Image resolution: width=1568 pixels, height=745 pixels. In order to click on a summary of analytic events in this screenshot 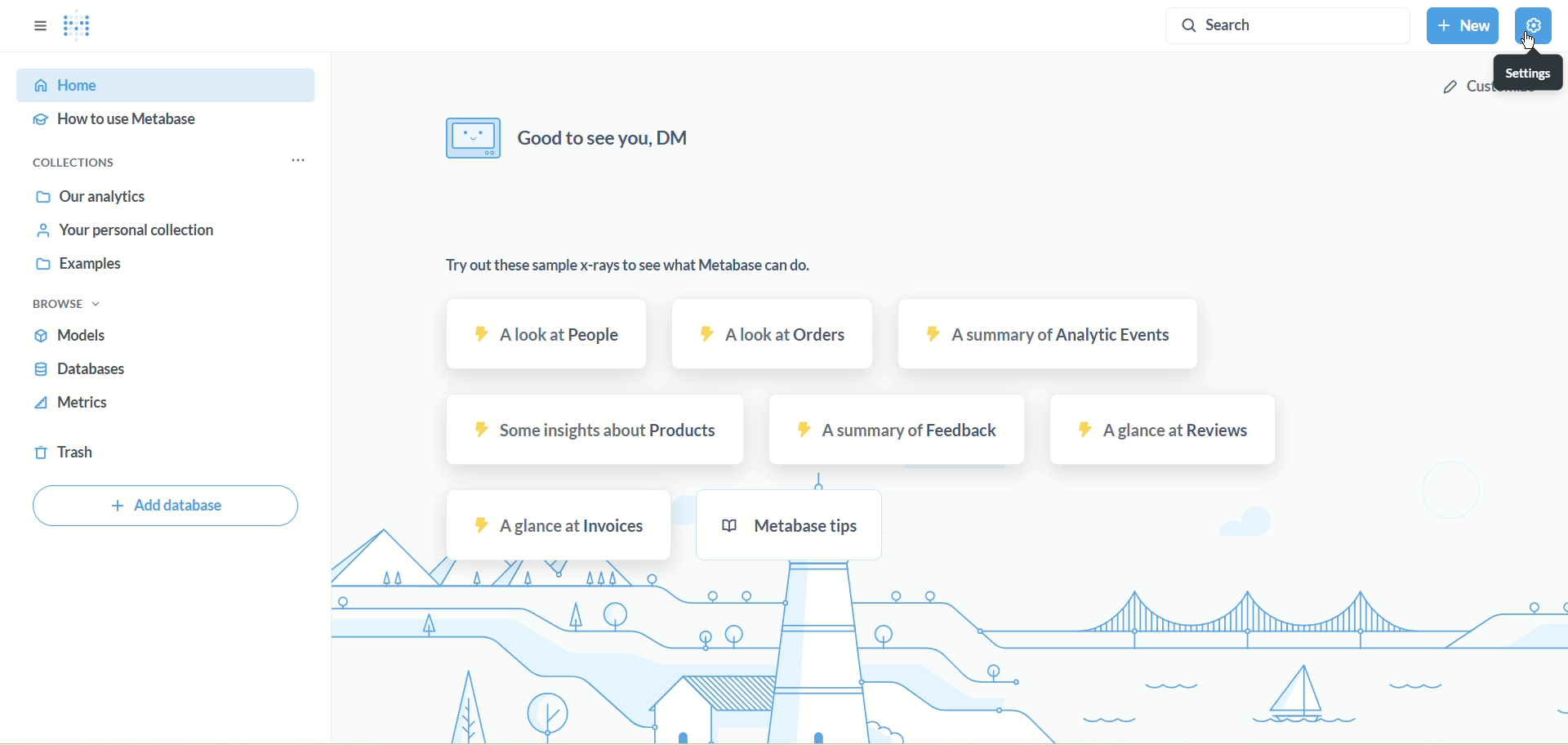, I will do `click(1049, 337)`.